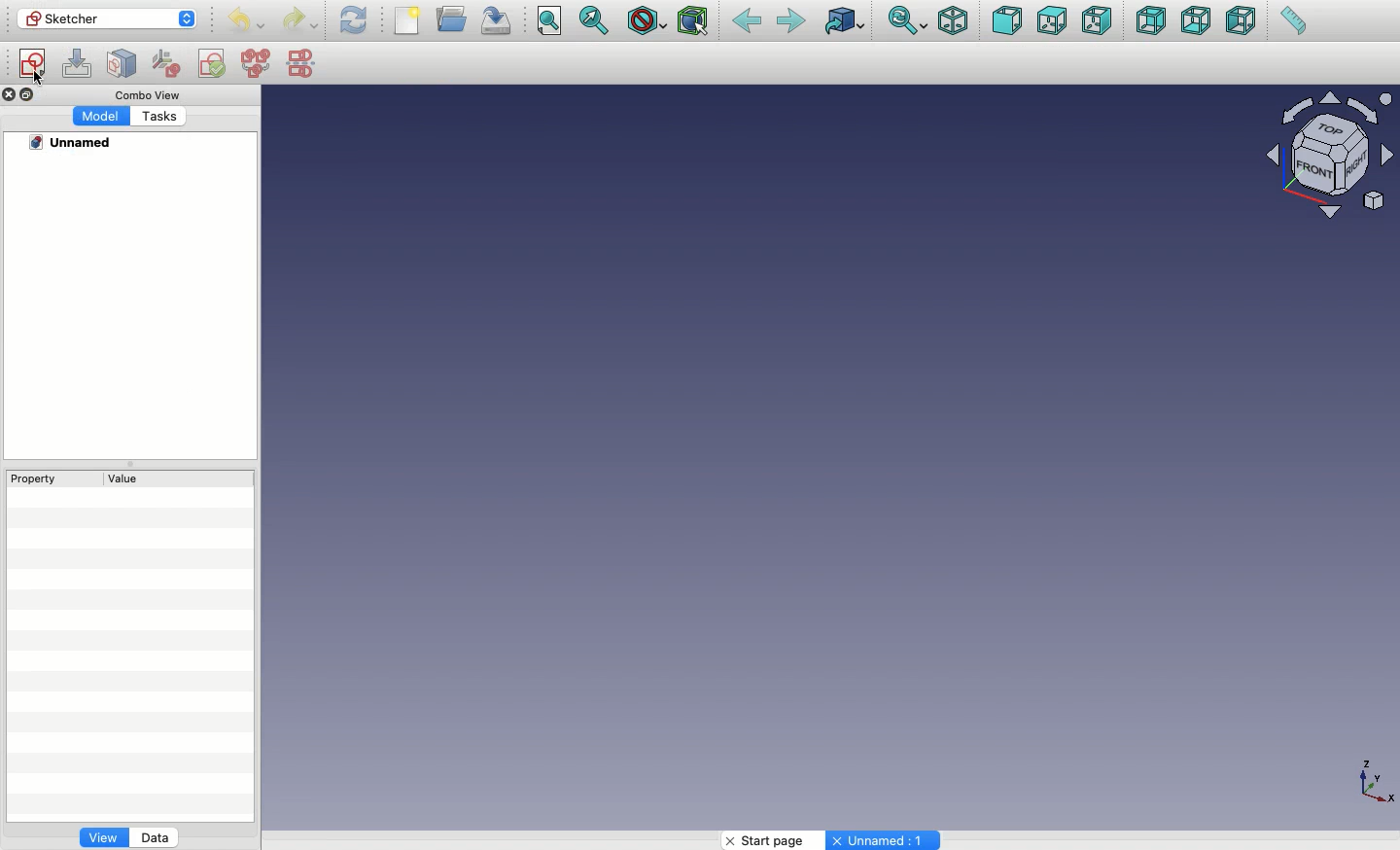  Describe the element at coordinates (157, 836) in the screenshot. I see `Data` at that location.